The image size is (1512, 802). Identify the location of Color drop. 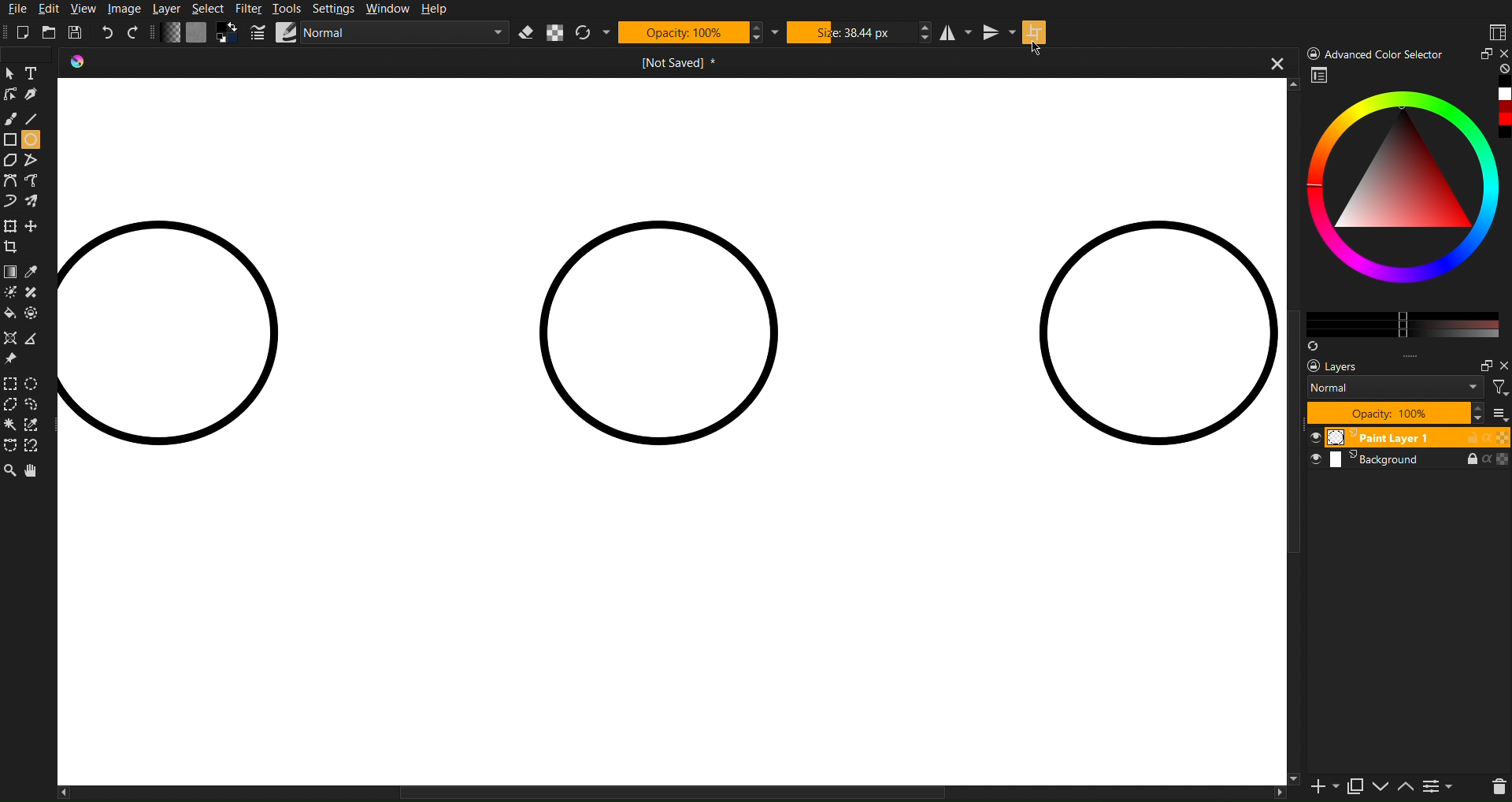
(34, 273).